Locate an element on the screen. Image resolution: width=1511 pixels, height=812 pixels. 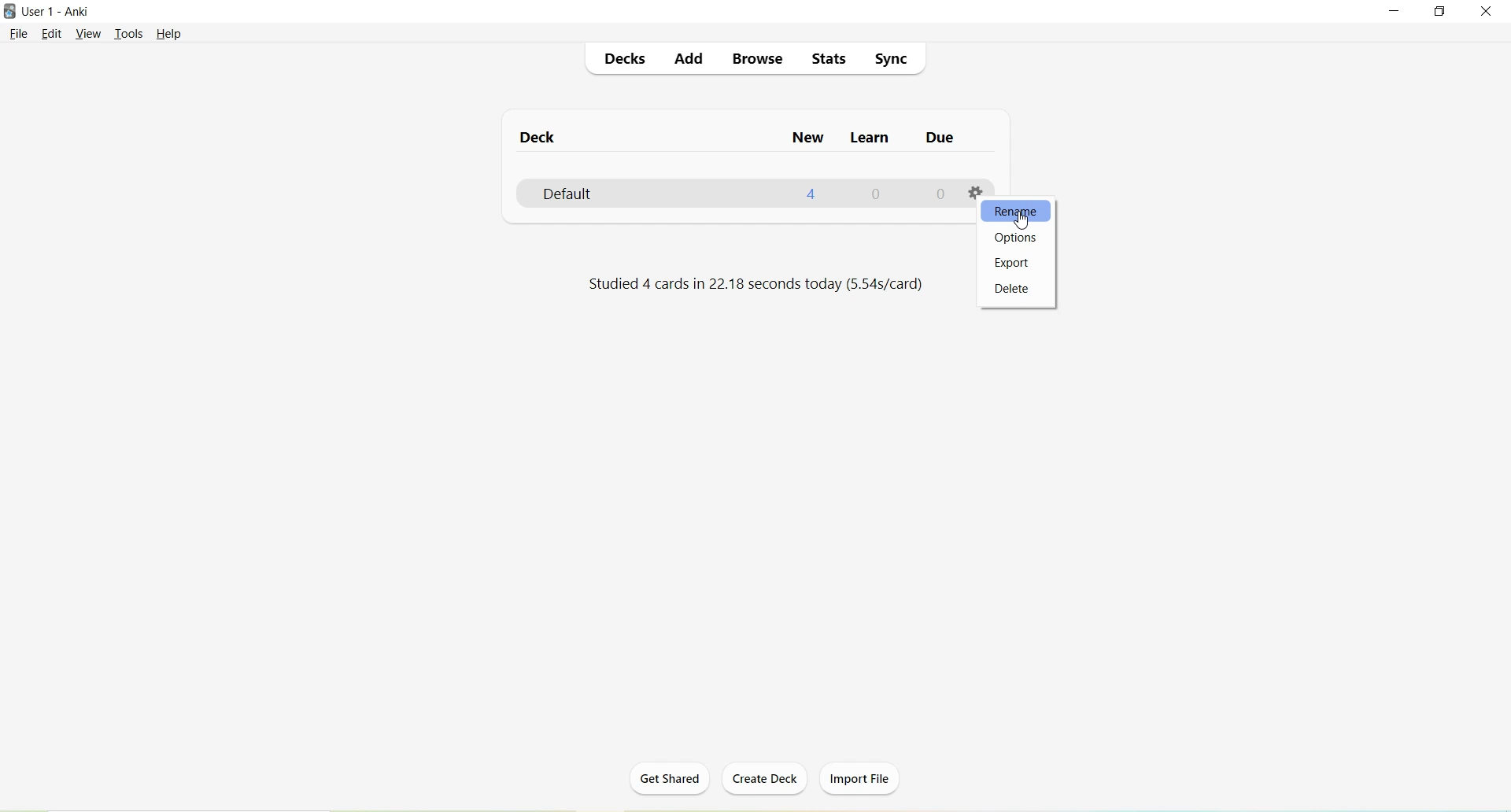
Tools is located at coordinates (128, 35).